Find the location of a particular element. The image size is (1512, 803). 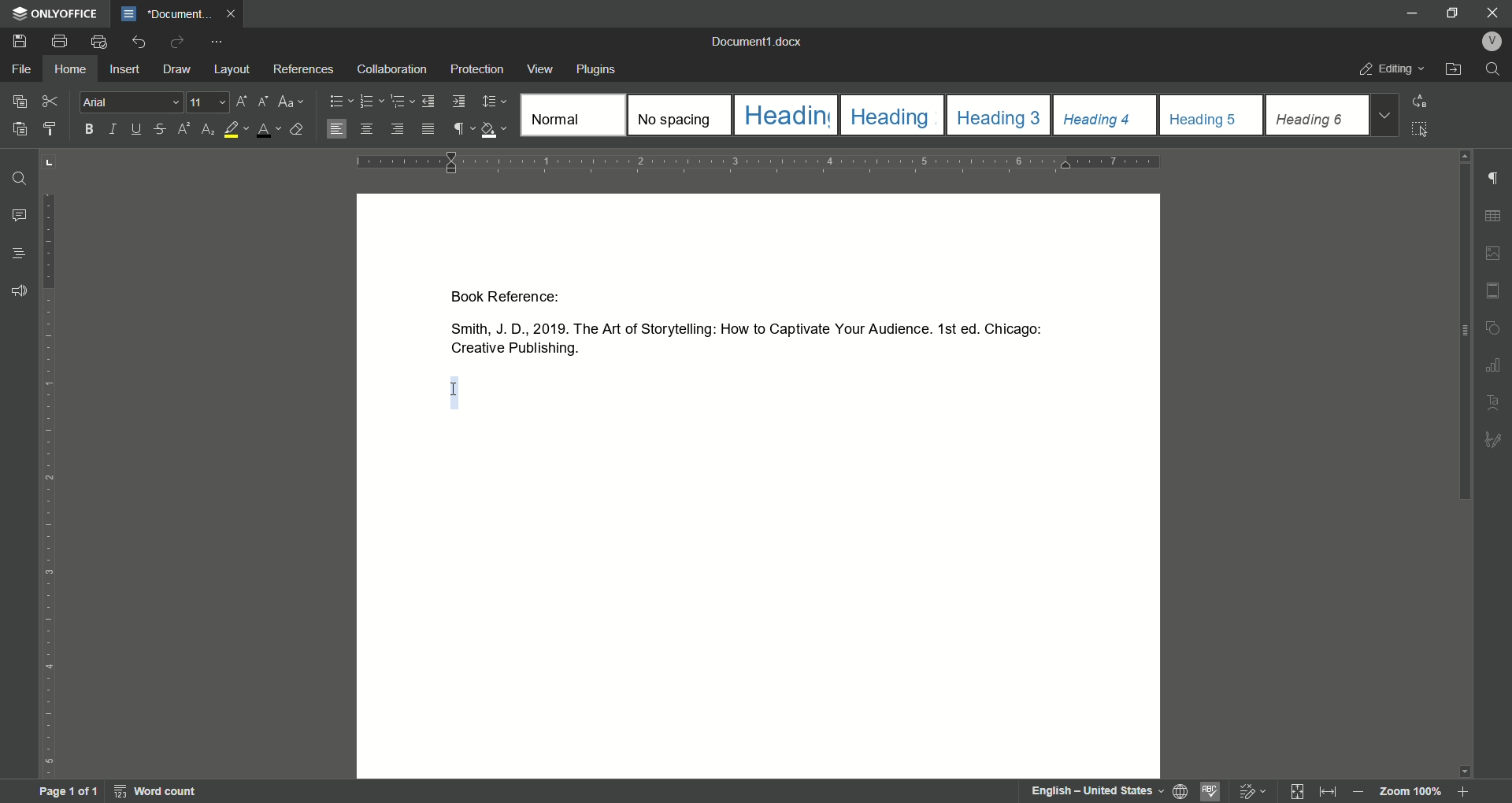

paste special is located at coordinates (20, 100).